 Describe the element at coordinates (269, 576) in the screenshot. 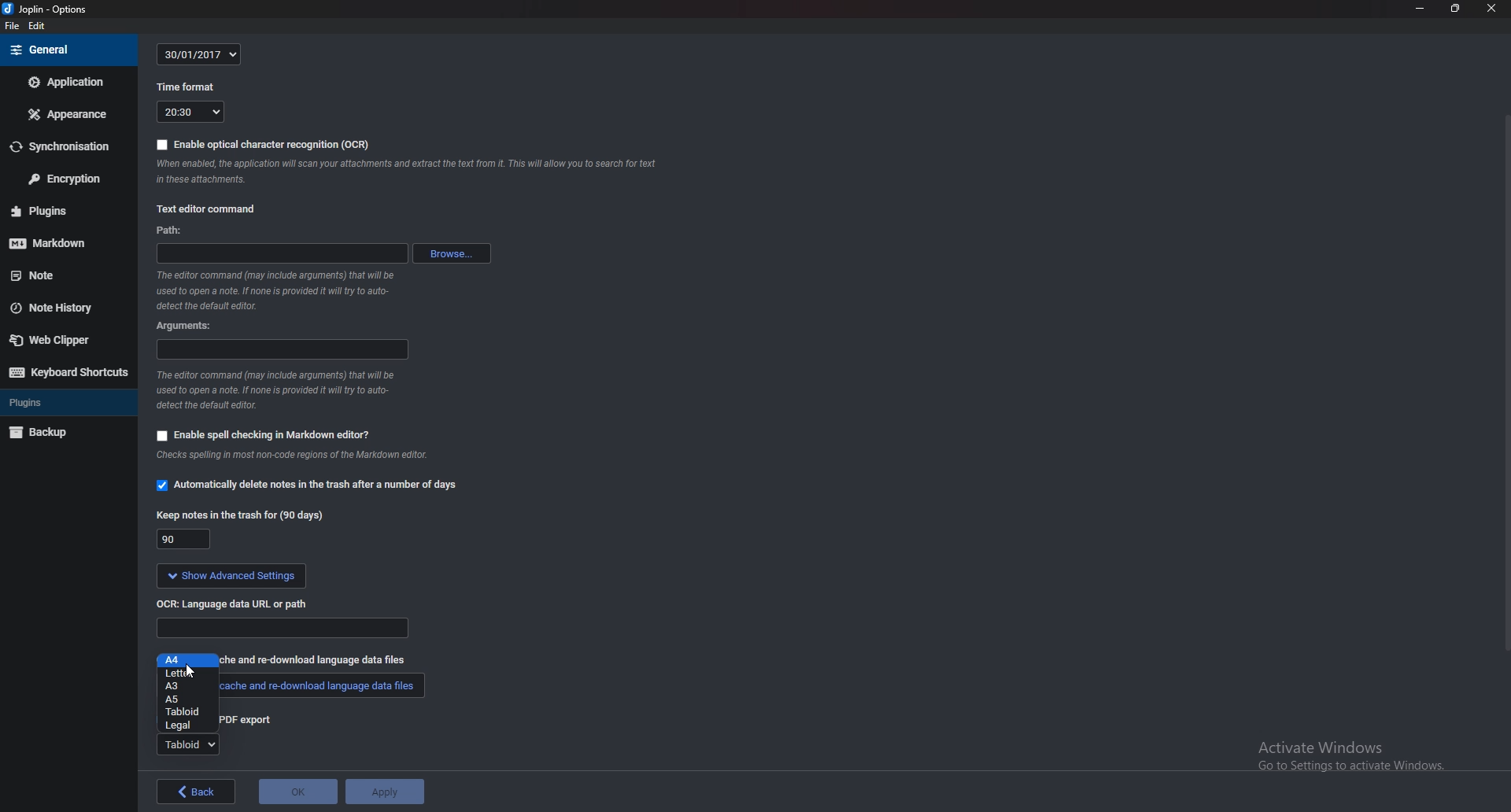

I see `show advanced settings` at that location.